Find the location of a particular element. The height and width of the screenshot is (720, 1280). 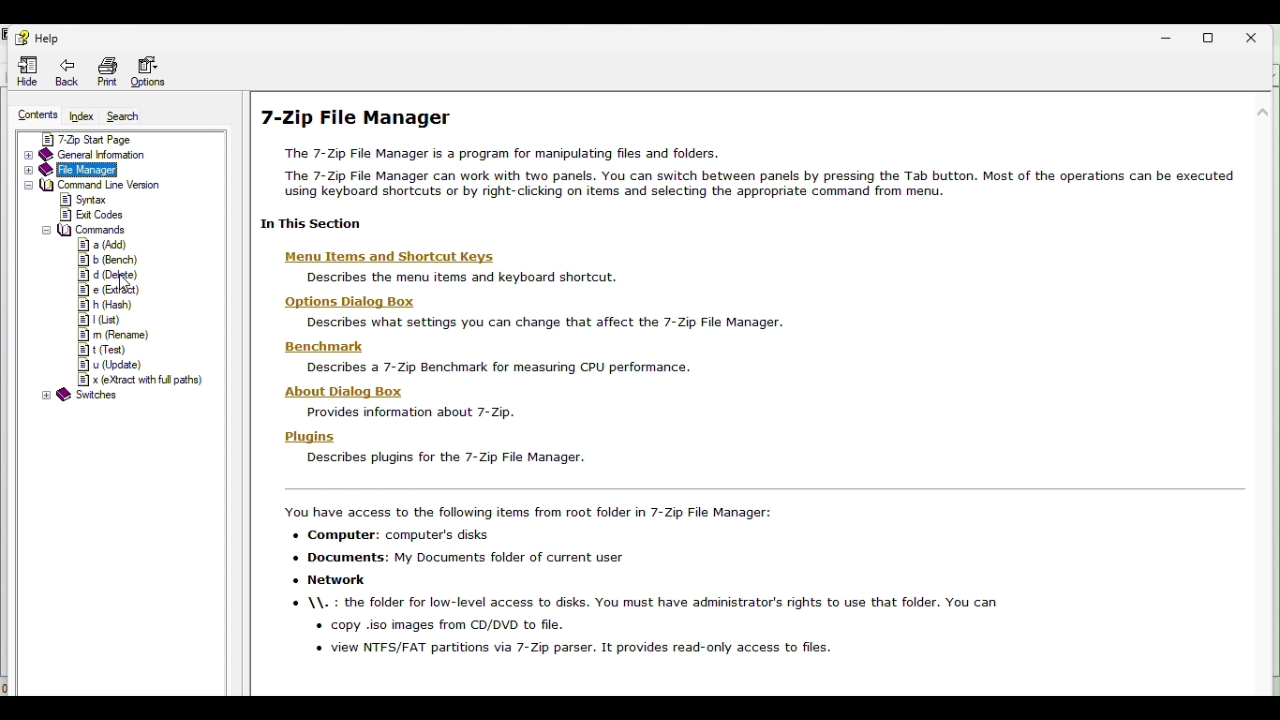

Hide is located at coordinates (24, 69).